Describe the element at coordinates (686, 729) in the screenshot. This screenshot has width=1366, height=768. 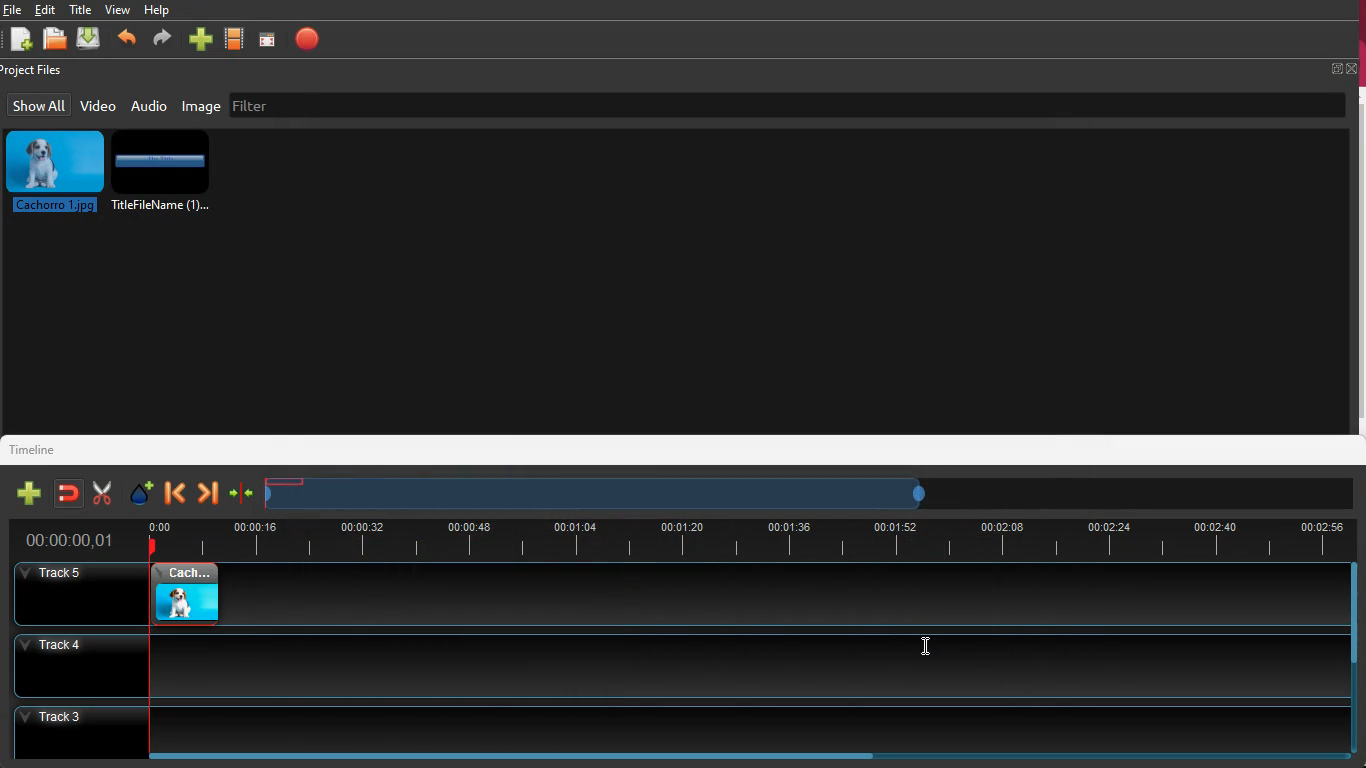
I see `` at that location.